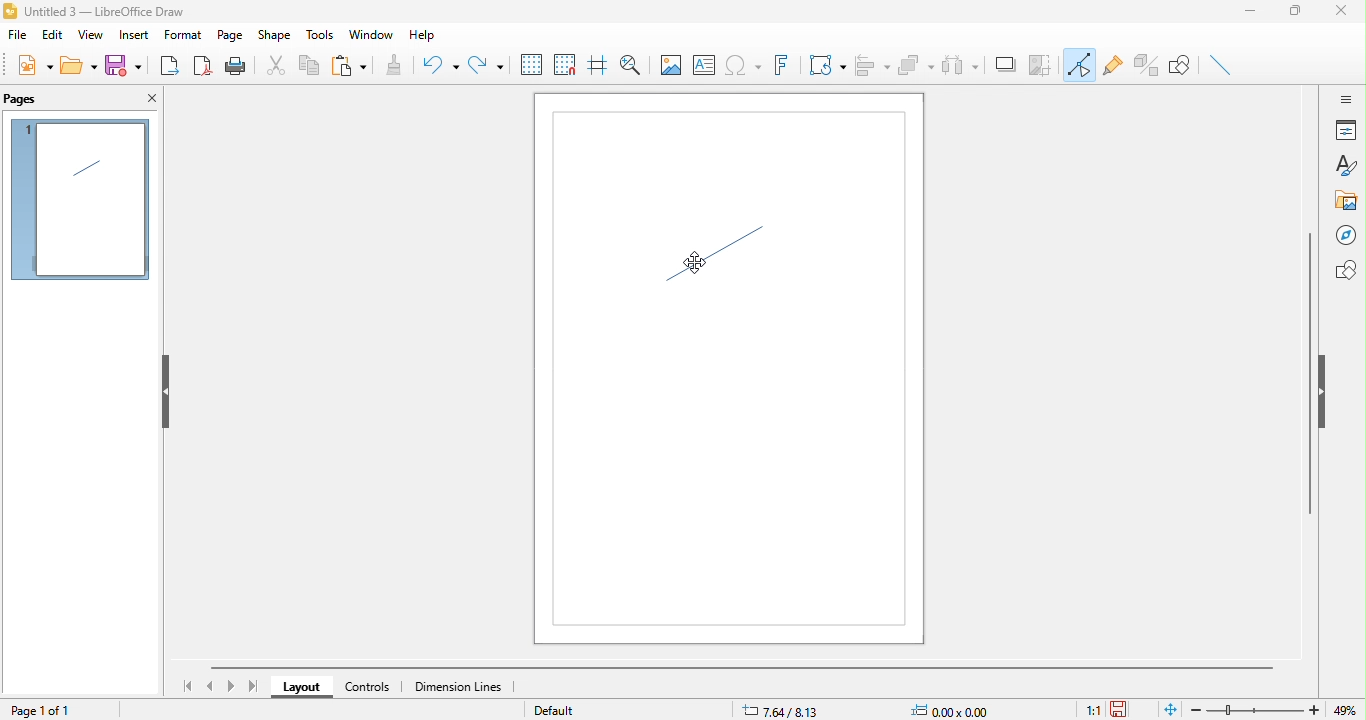 Image resolution: width=1366 pixels, height=720 pixels. What do you see at coordinates (1092, 710) in the screenshot?
I see `1:1` at bounding box center [1092, 710].